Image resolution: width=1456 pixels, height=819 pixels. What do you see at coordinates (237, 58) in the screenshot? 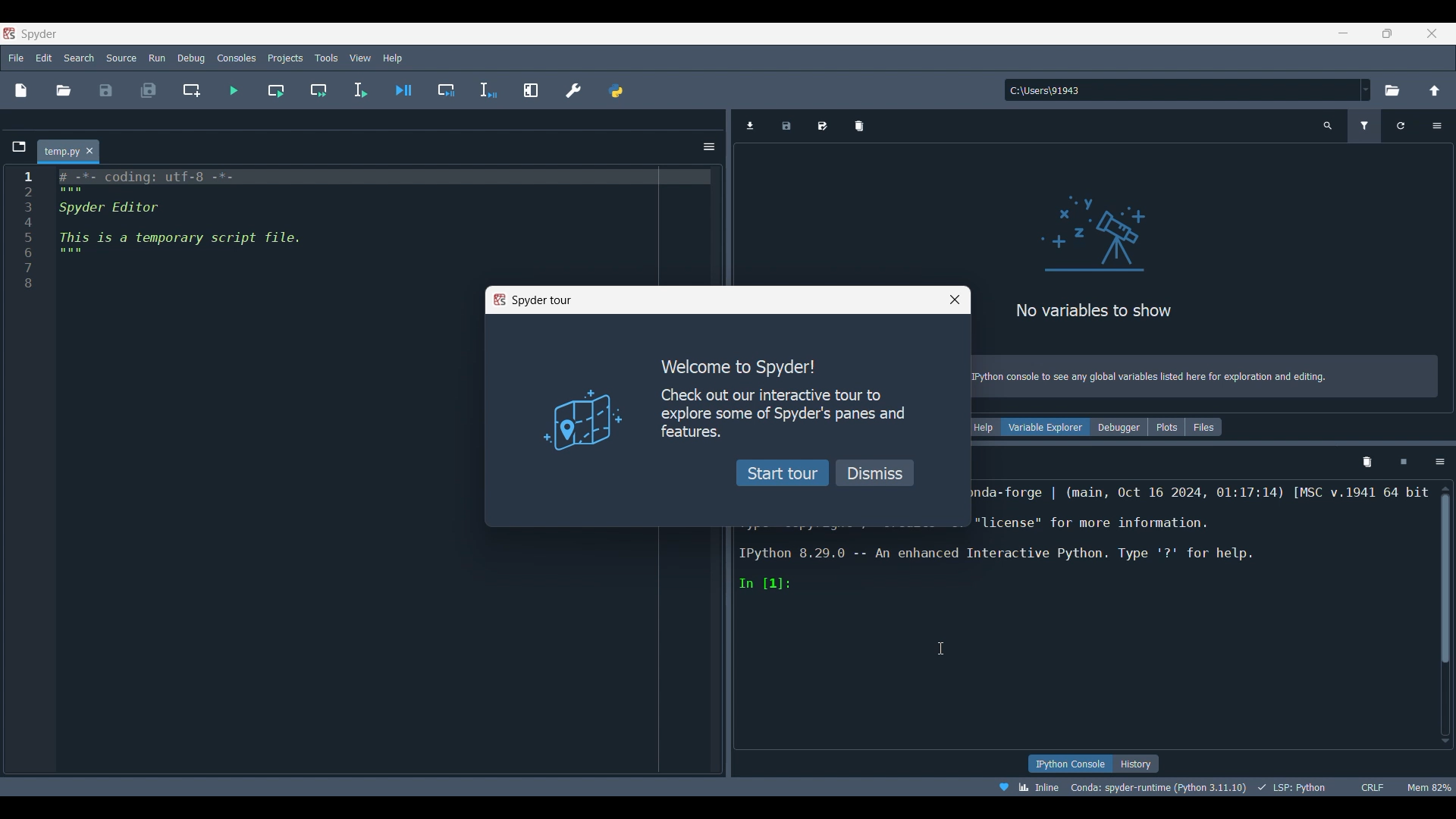
I see `Consoles menu` at bounding box center [237, 58].